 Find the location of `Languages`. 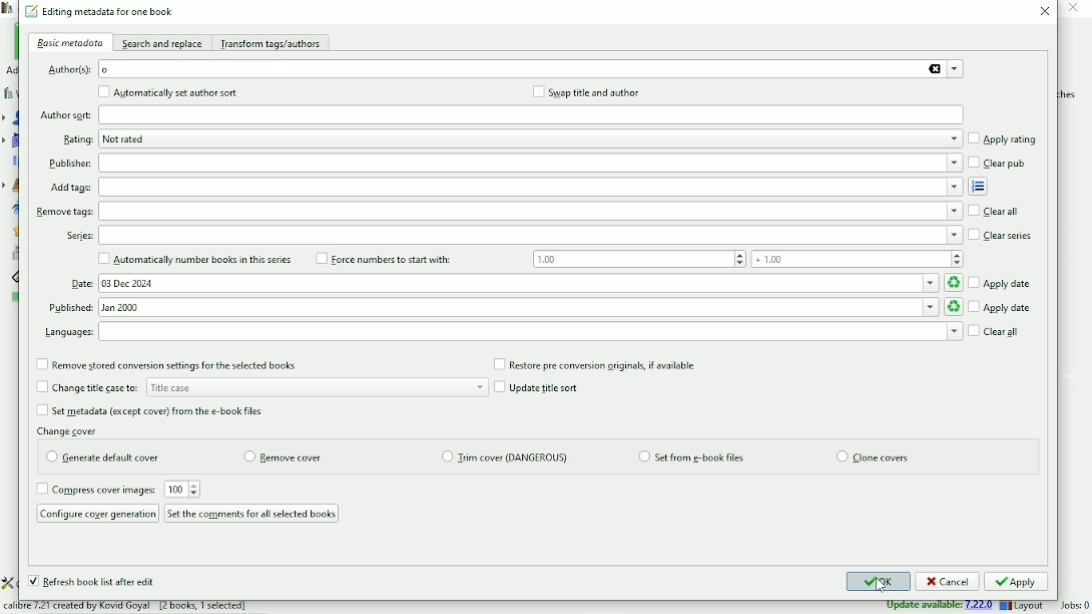

Languages is located at coordinates (66, 335).